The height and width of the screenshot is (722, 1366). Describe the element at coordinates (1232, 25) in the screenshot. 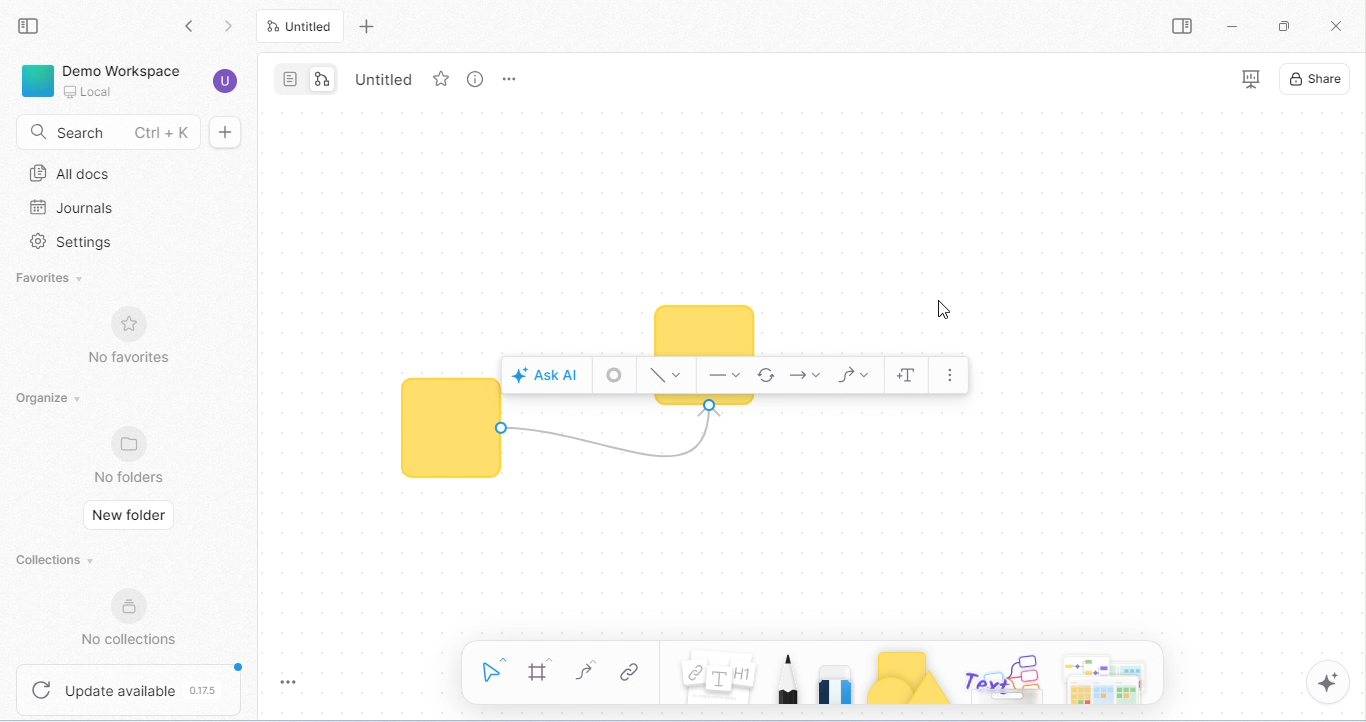

I see `minimize` at that location.